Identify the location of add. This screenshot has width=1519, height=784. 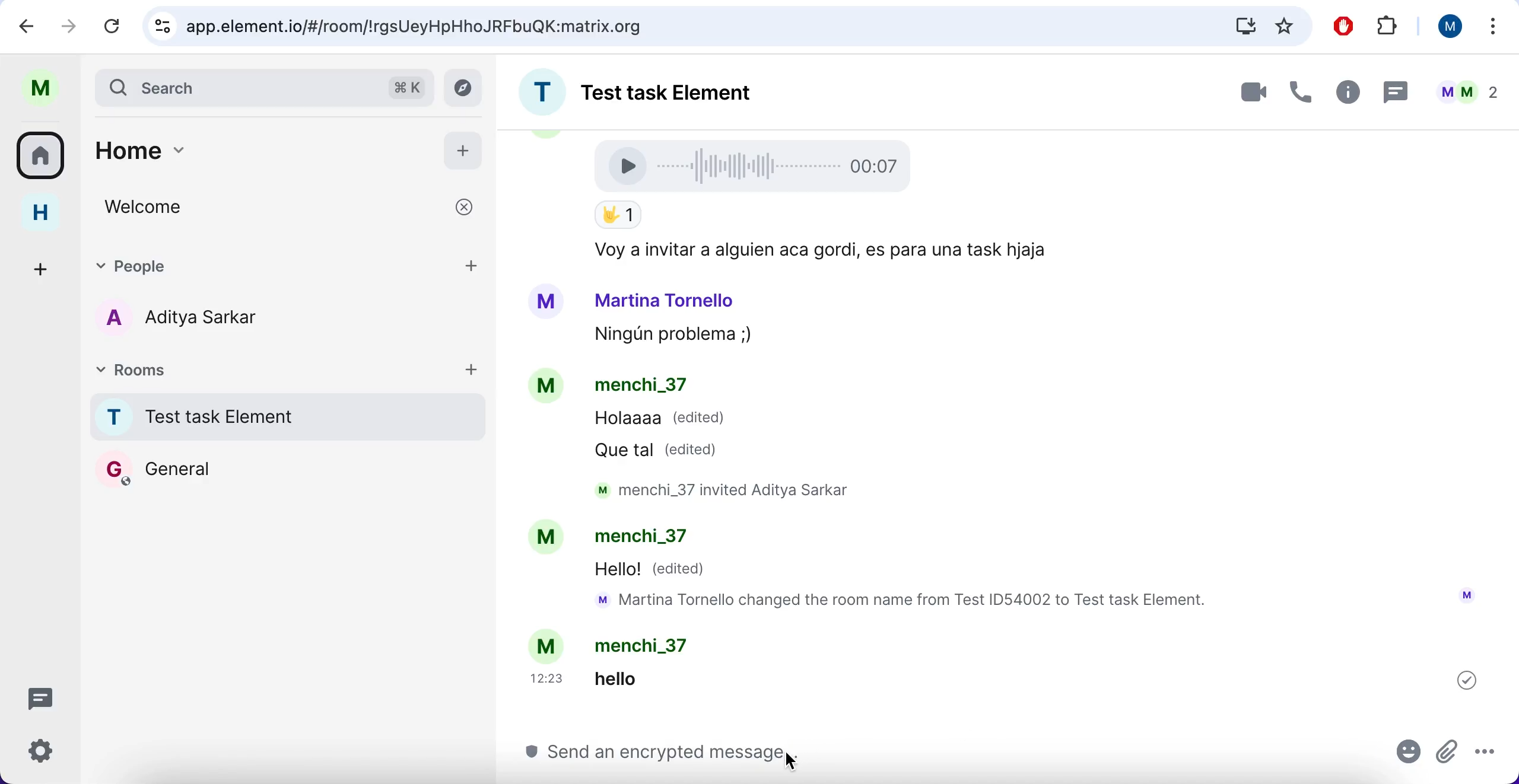
(473, 264).